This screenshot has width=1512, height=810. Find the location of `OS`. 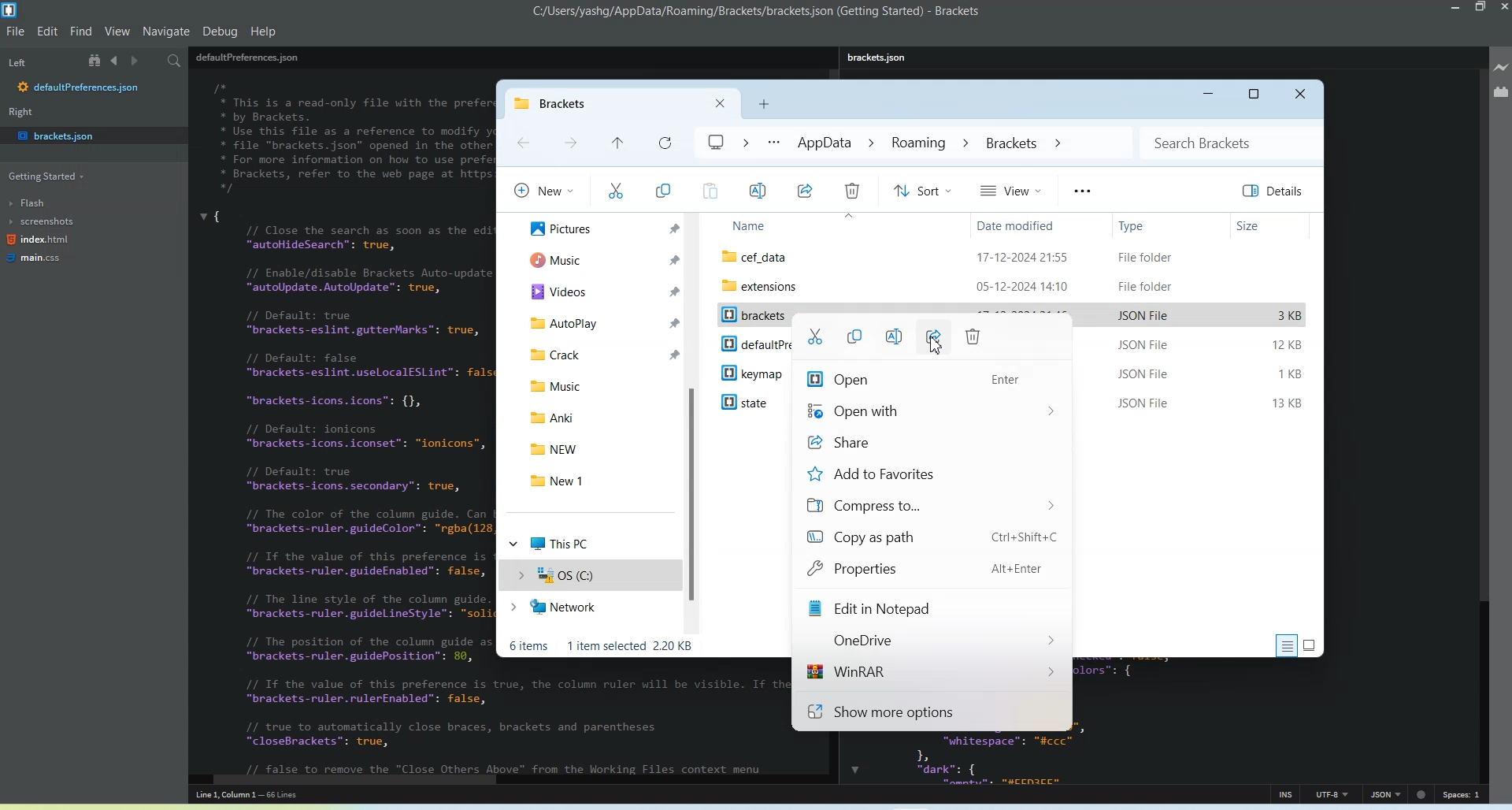

OS is located at coordinates (587, 575).